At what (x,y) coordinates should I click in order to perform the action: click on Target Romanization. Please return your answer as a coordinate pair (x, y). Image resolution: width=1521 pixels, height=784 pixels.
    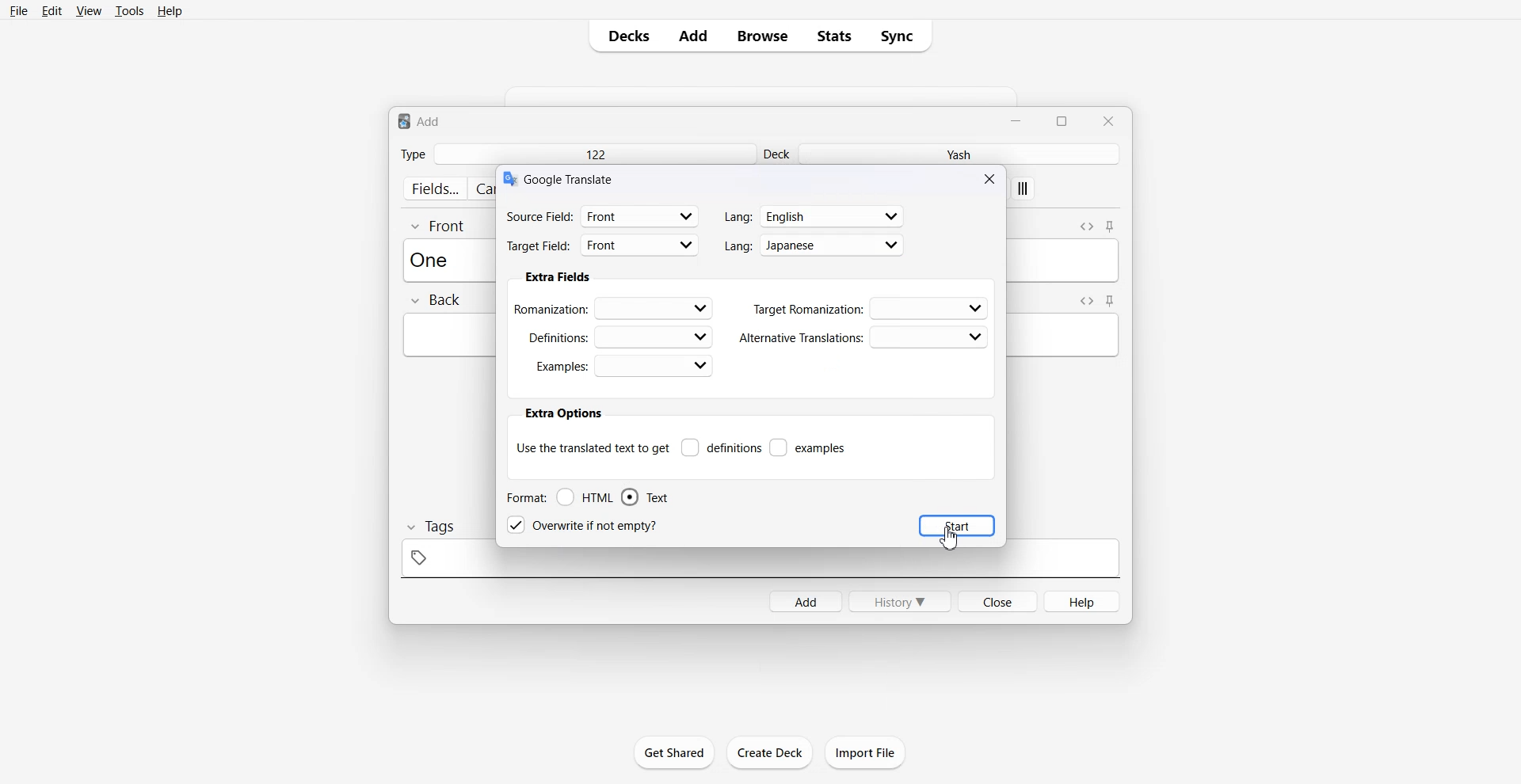
    Looking at the image, I should click on (871, 308).